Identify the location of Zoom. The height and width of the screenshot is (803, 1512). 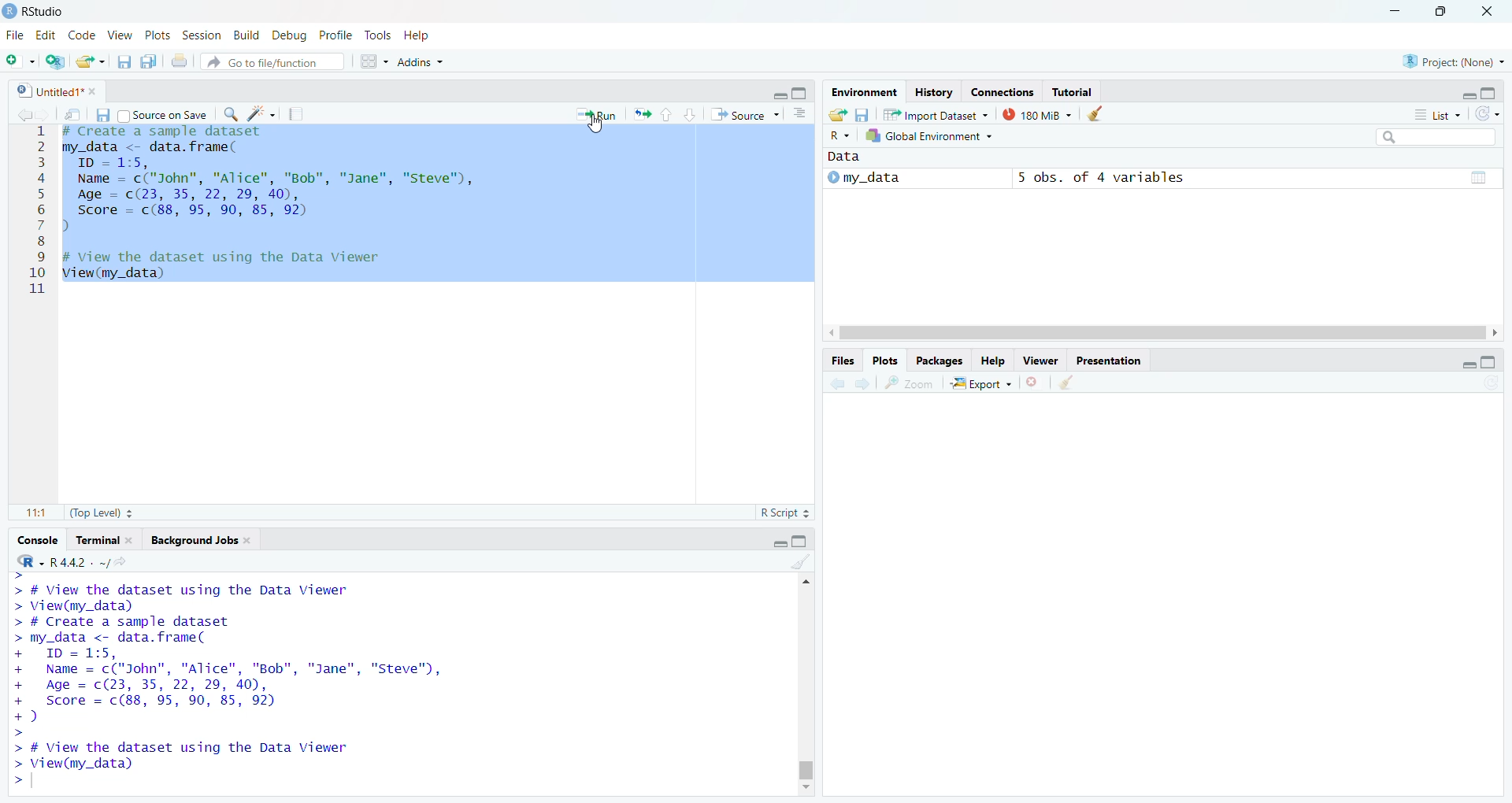
(232, 114).